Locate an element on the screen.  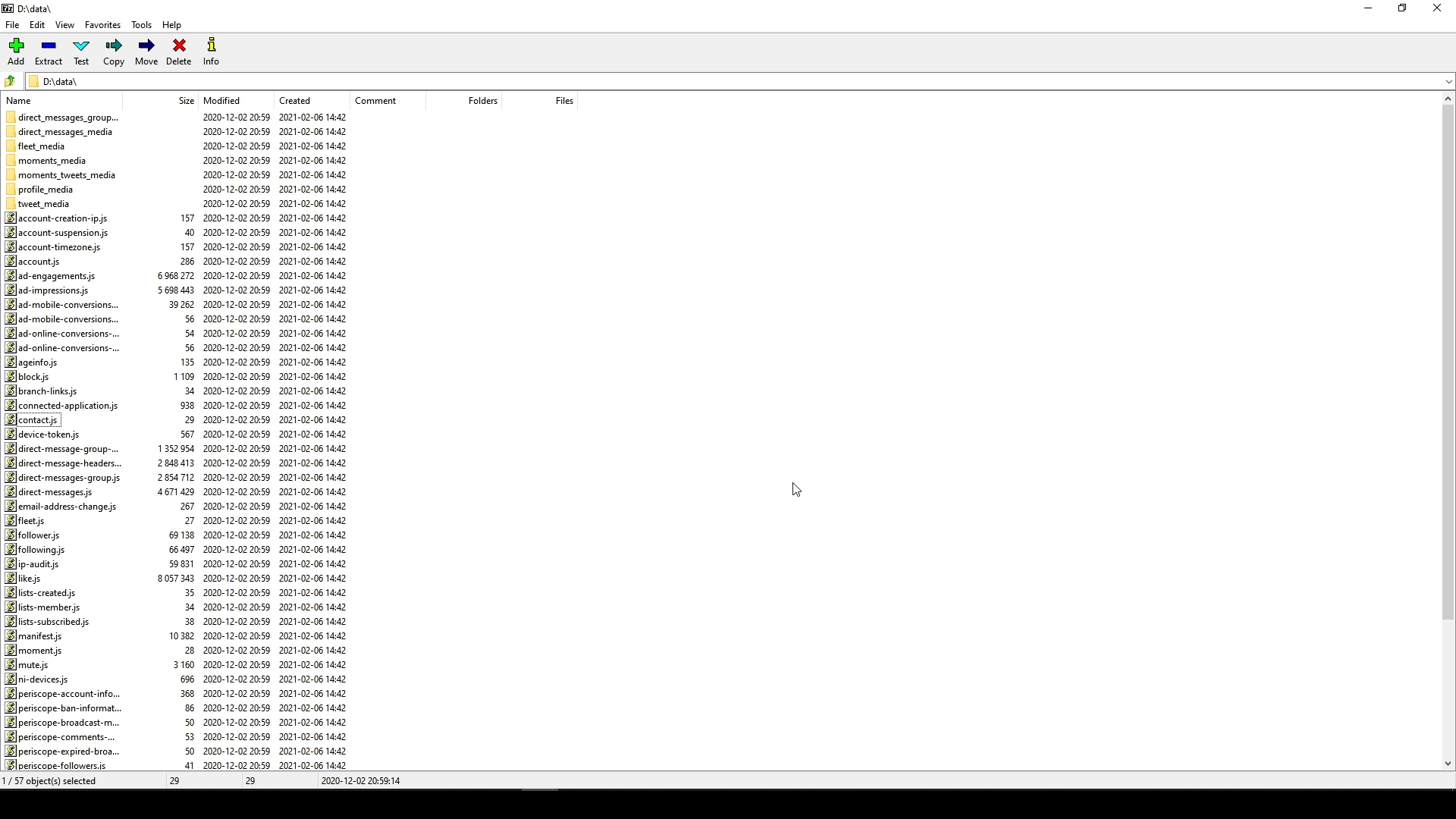
direct-messages-group.js is located at coordinates (64, 479).